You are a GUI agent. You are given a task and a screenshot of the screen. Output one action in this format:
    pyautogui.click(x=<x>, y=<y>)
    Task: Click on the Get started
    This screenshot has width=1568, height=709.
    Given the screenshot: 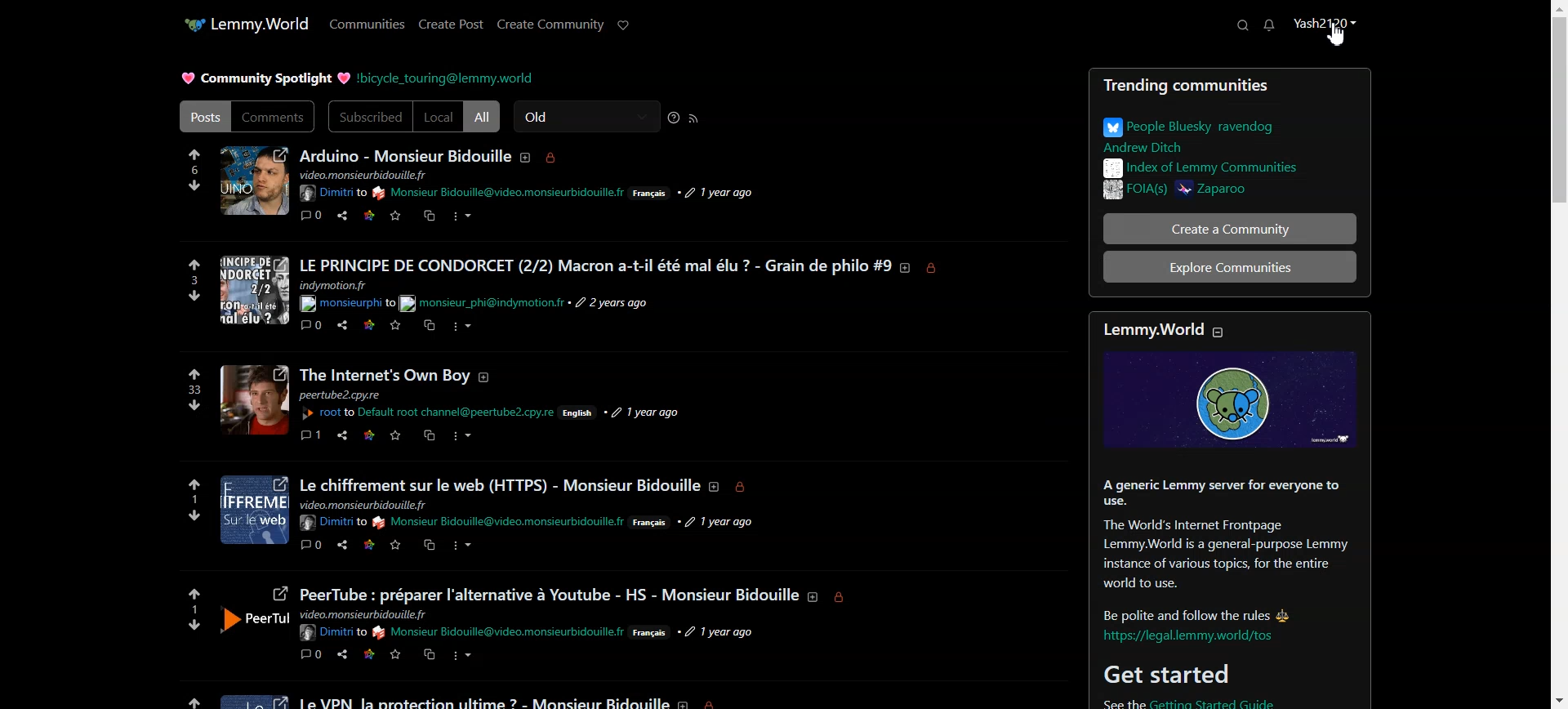 What is the action you would take?
    pyautogui.click(x=1173, y=674)
    